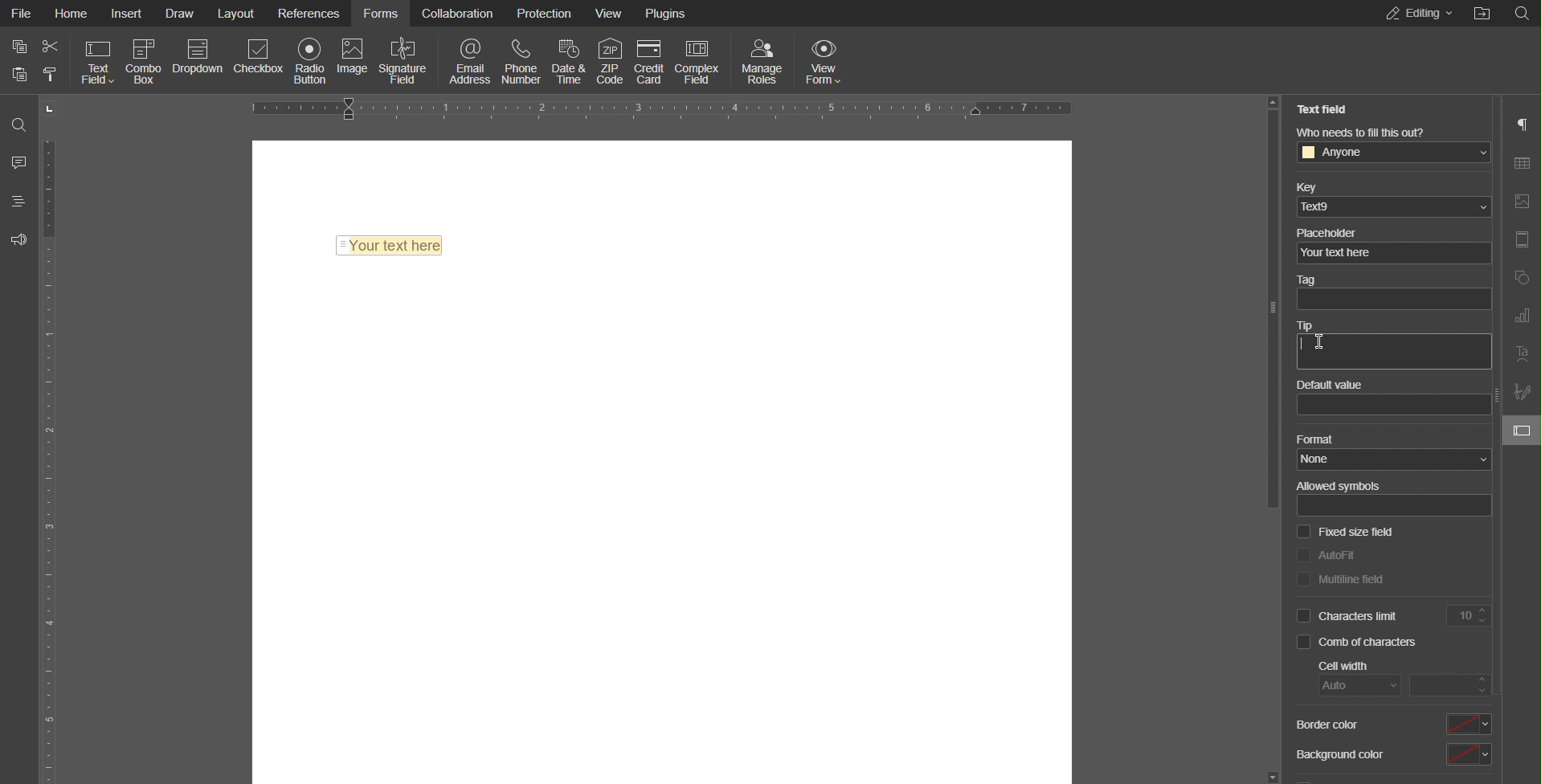  Describe the element at coordinates (198, 61) in the screenshot. I see `Dropdown` at that location.